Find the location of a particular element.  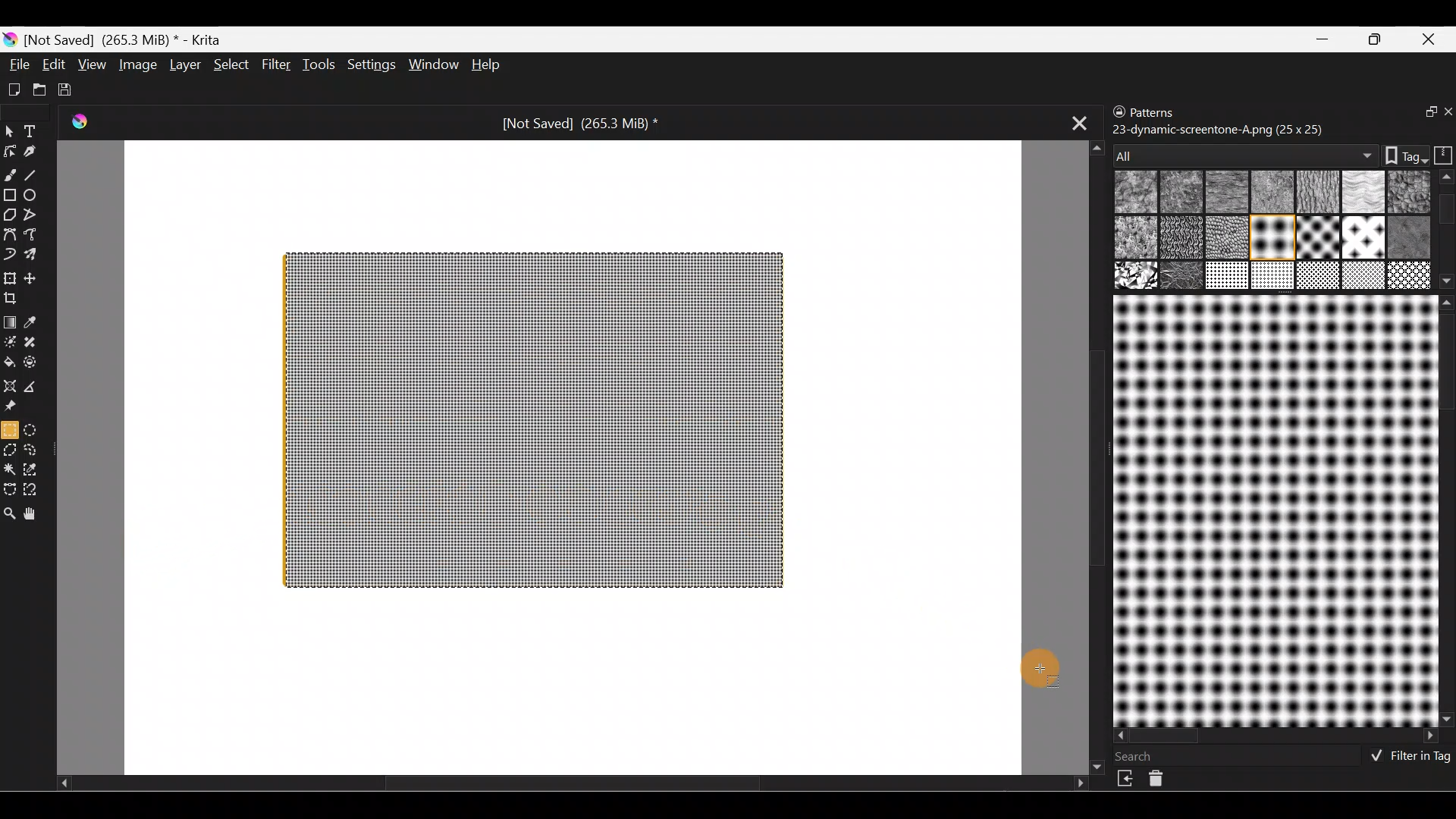

02 rough-canvas.png is located at coordinates (1179, 193).